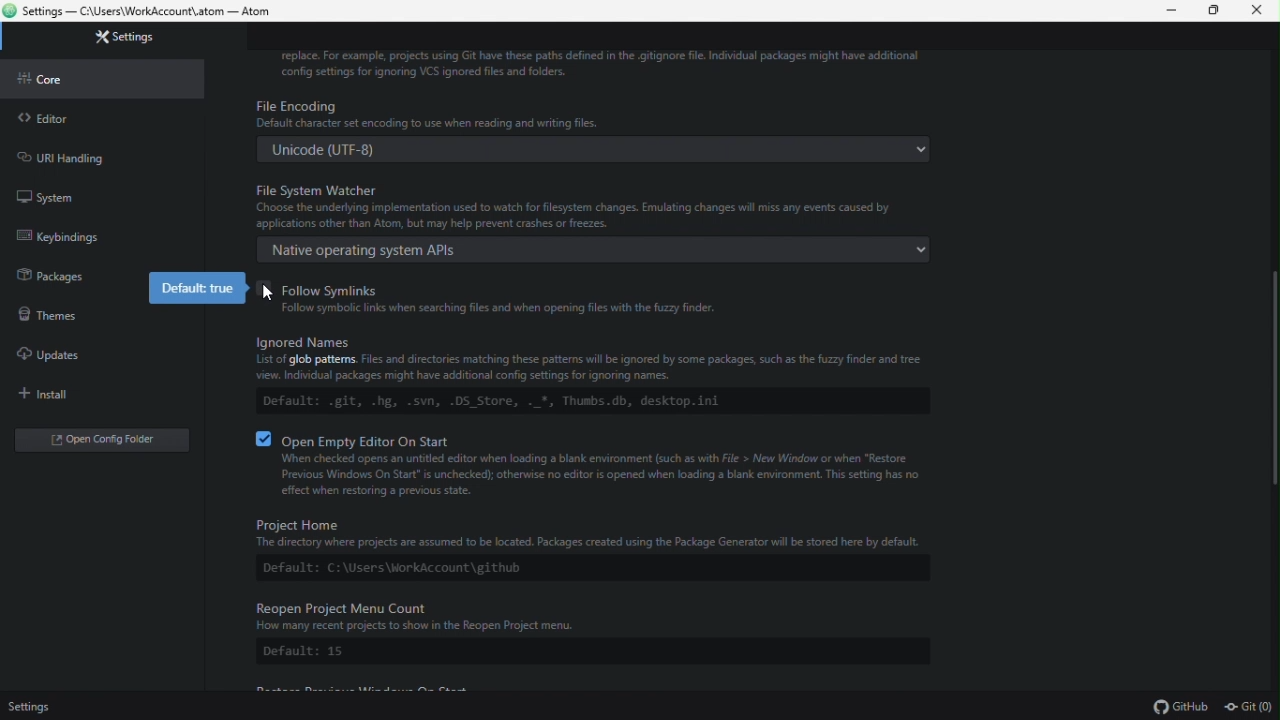  Describe the element at coordinates (265, 289) in the screenshot. I see `checkbox` at that location.